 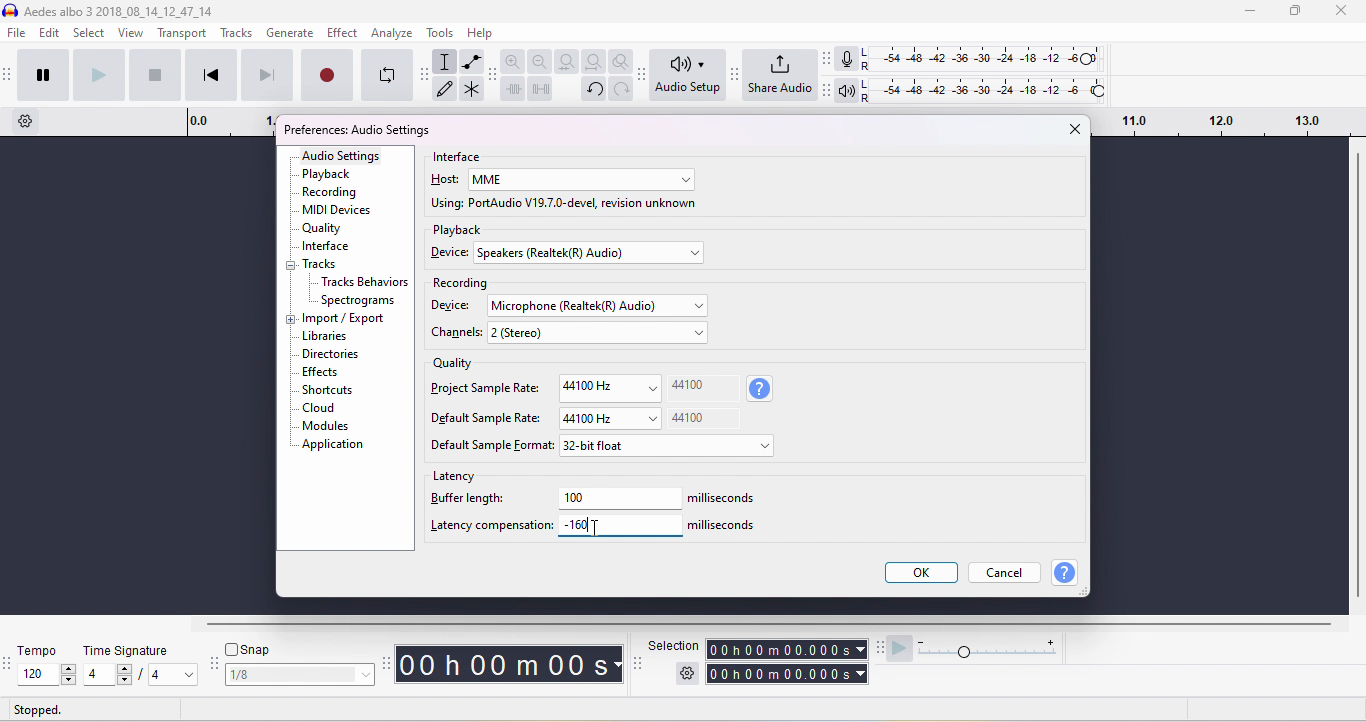 I want to click on quality, so click(x=323, y=229).